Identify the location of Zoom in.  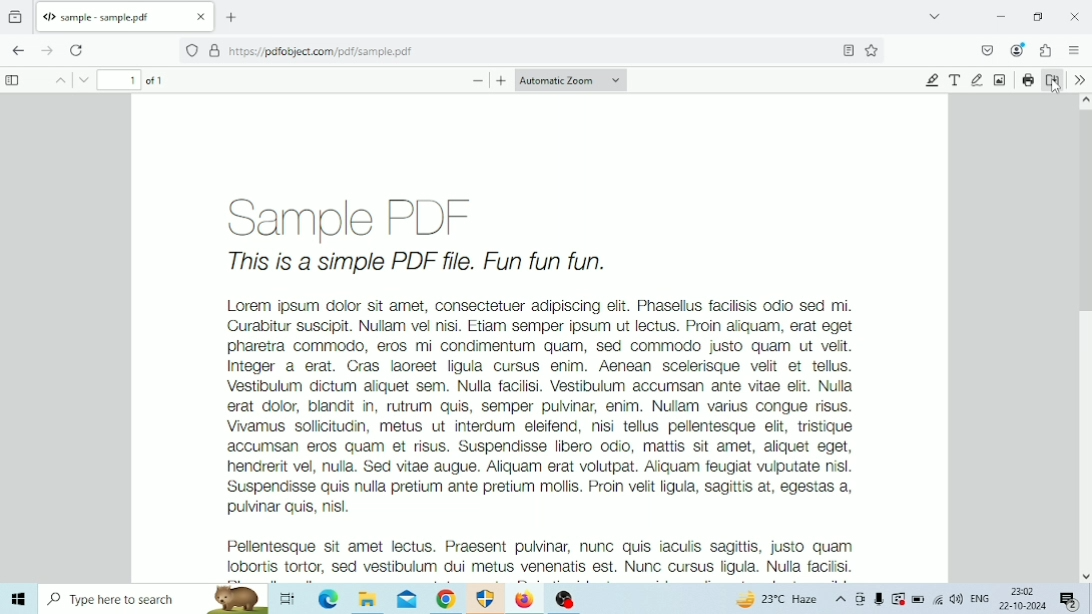
(501, 81).